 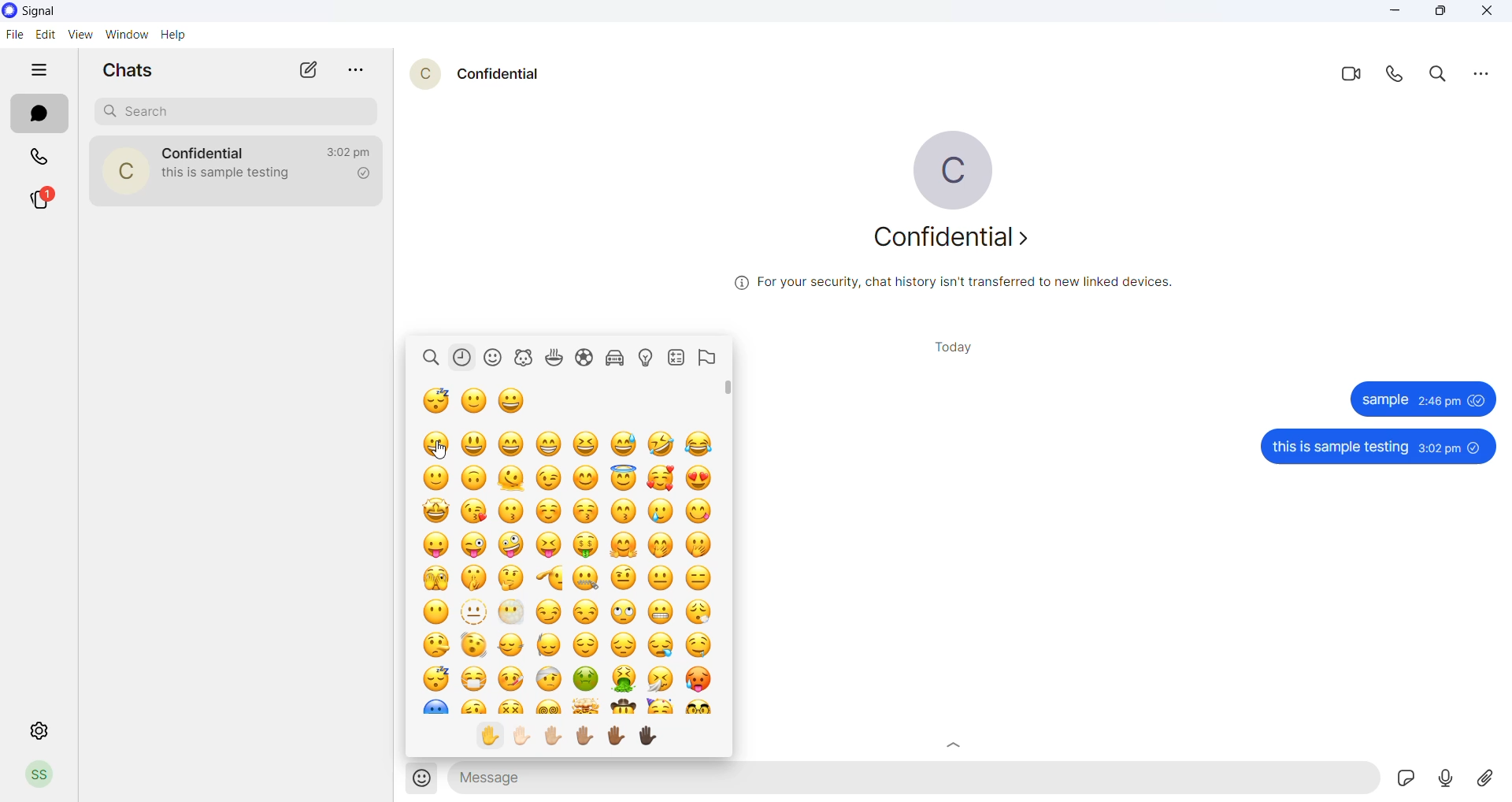 I want to click on chats heading, so click(x=133, y=69).